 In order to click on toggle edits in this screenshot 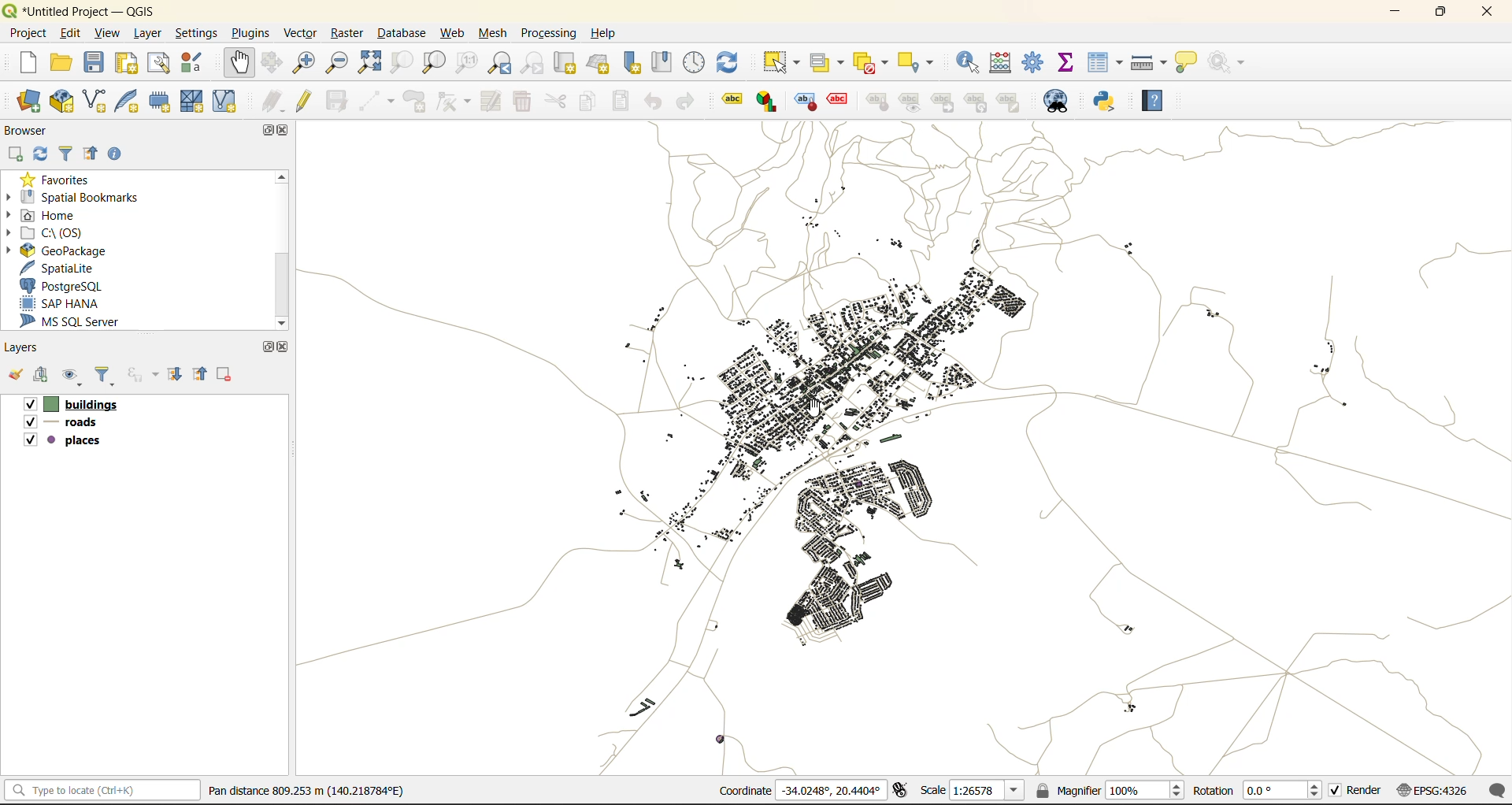, I will do `click(306, 98)`.